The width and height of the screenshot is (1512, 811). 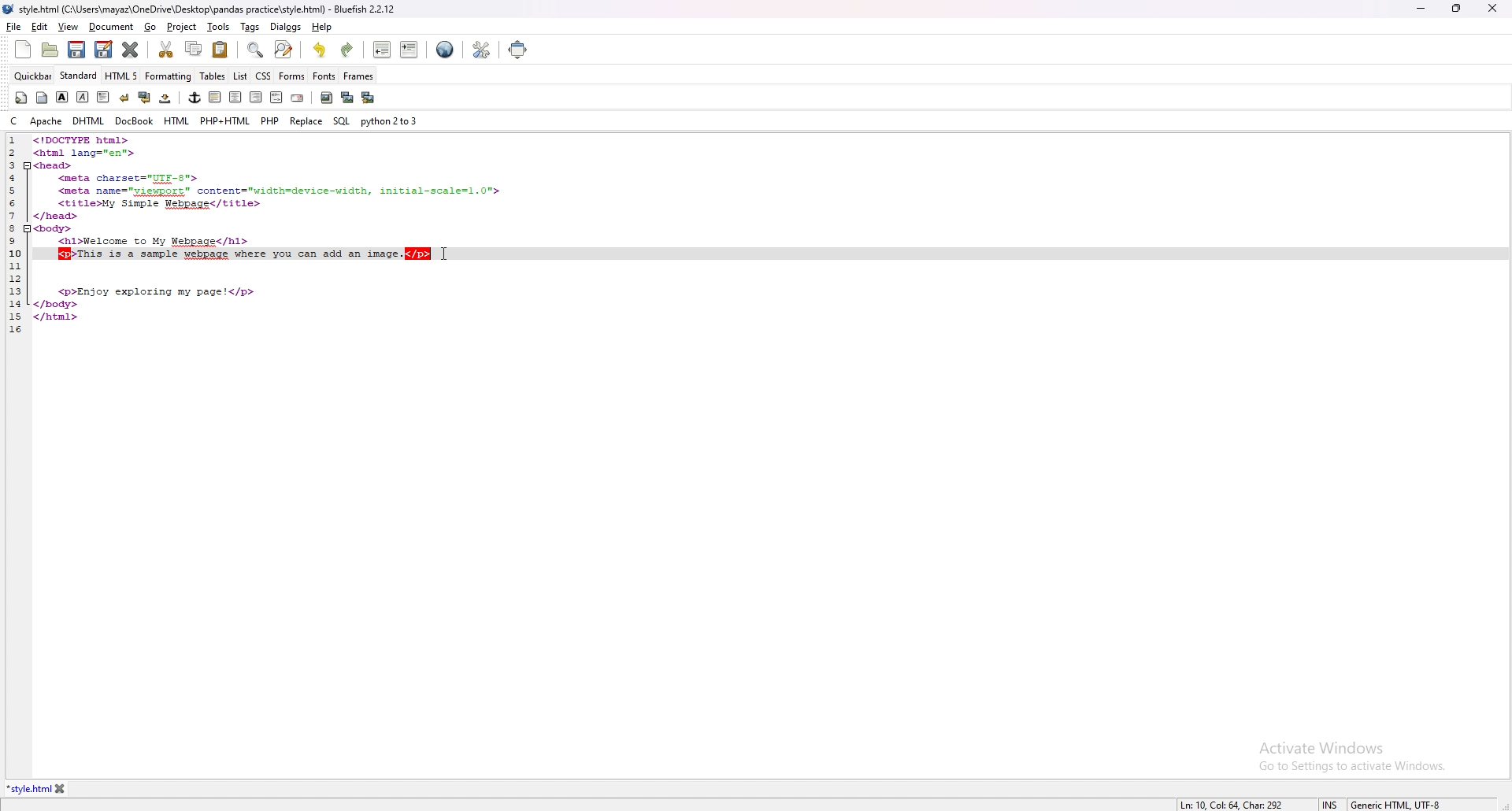 I want to click on <meta name="yiewport"™ content="width=device-width, initial-scale=1.0">, so click(x=279, y=191).